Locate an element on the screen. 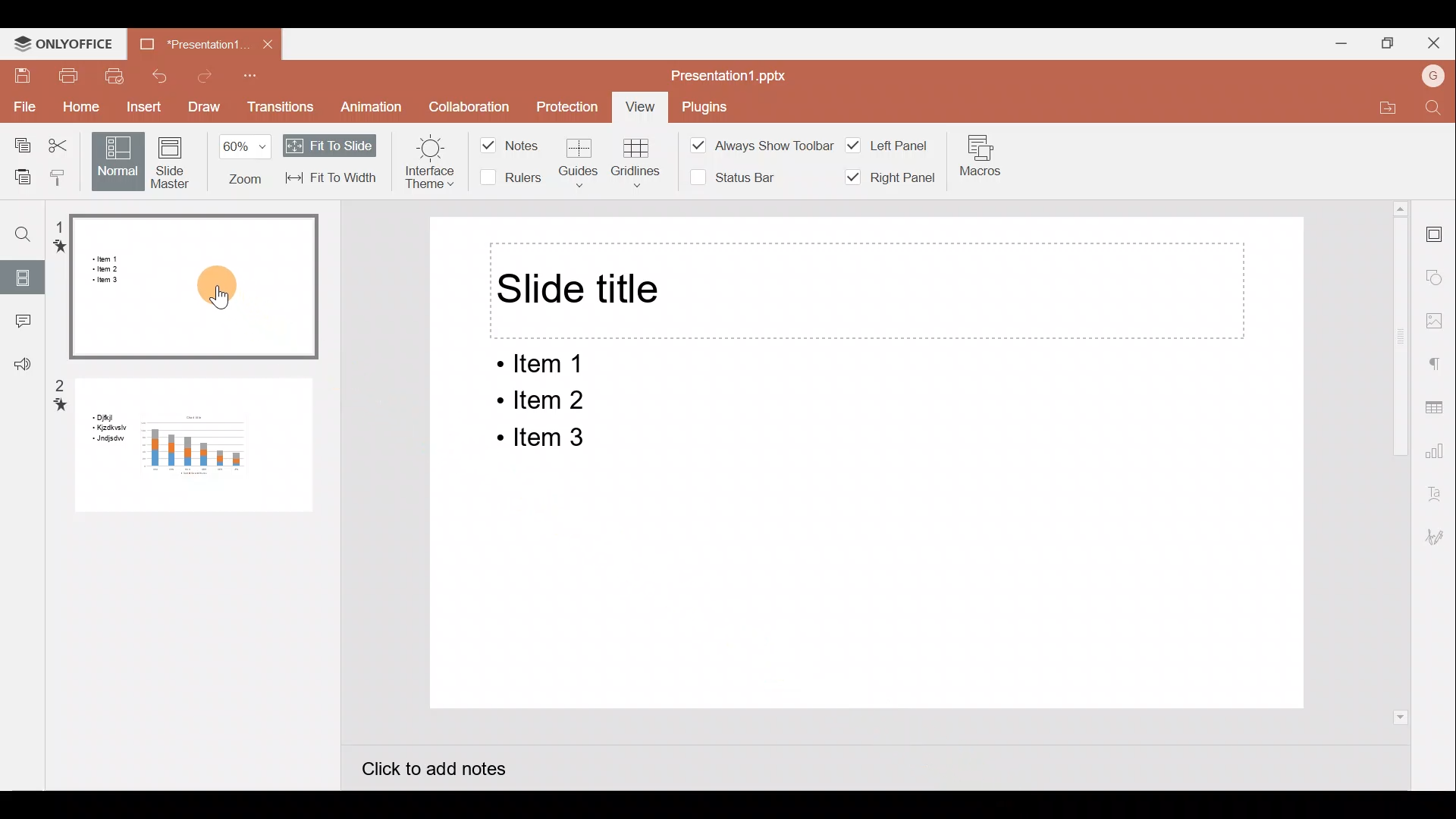  Presentation1. is located at coordinates (188, 44).